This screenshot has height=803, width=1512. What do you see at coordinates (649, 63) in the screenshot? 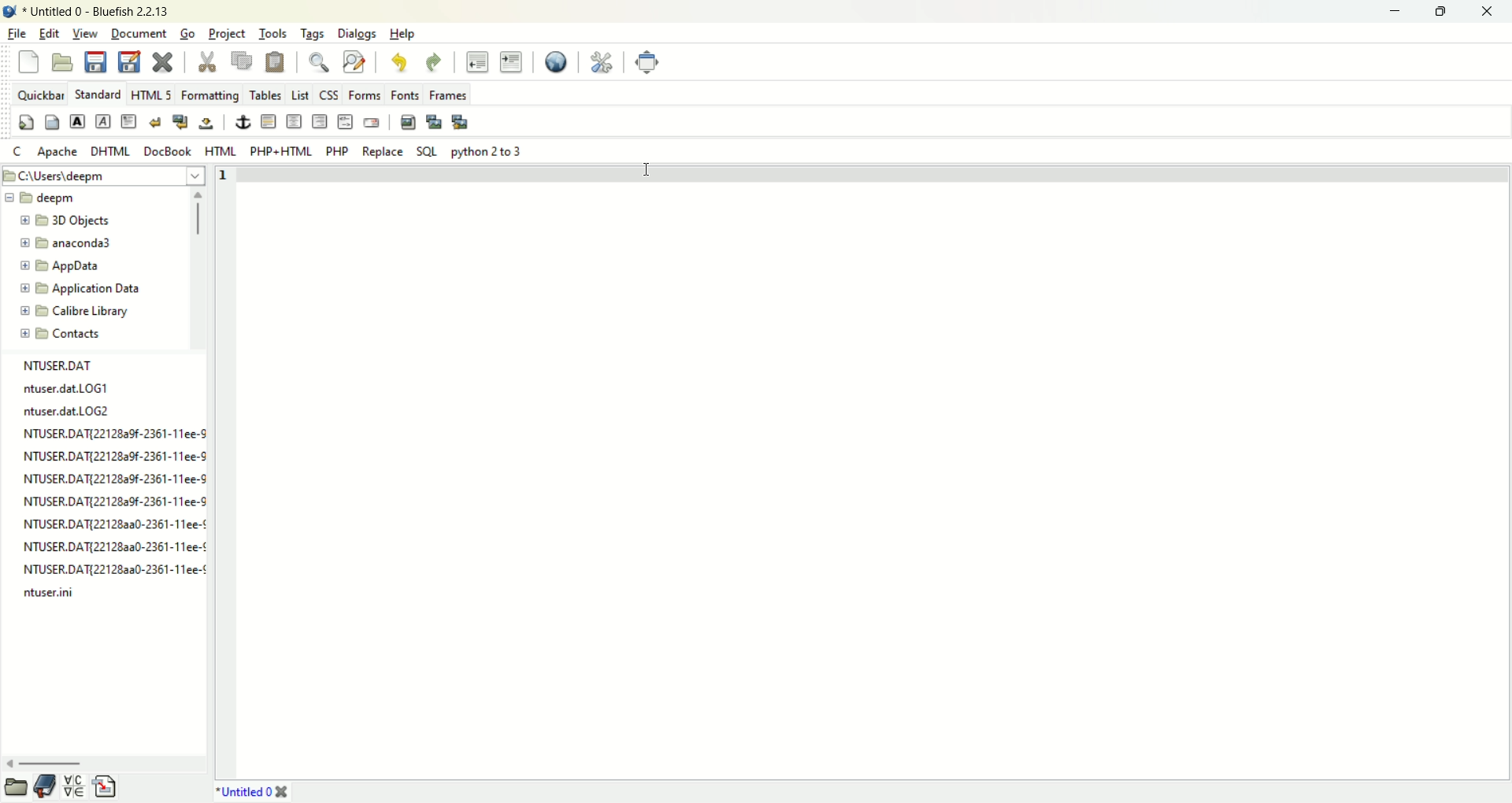
I see `fullscreen` at bounding box center [649, 63].